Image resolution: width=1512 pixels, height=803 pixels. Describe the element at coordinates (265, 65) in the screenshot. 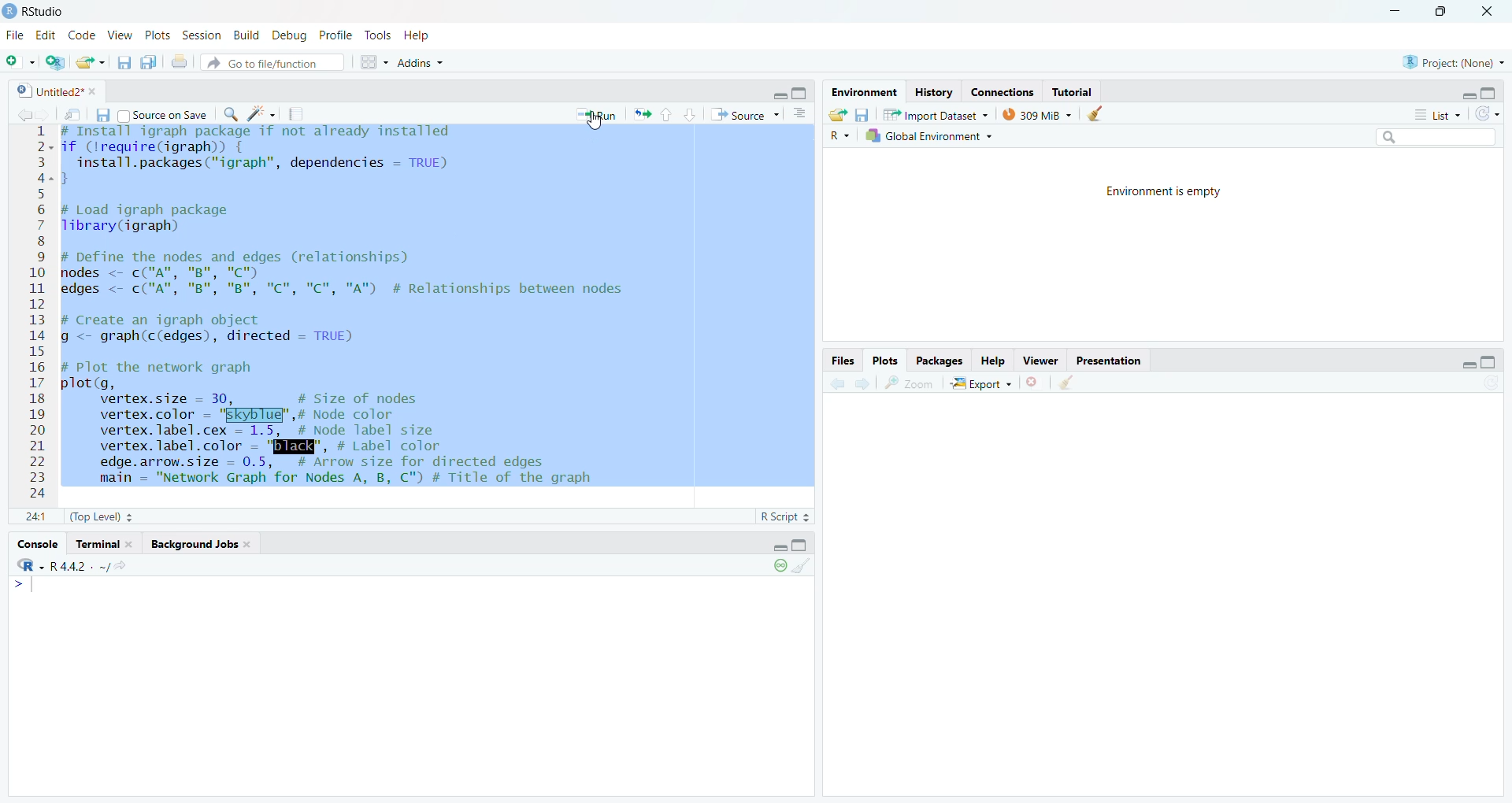

I see `Go to file/function` at that location.